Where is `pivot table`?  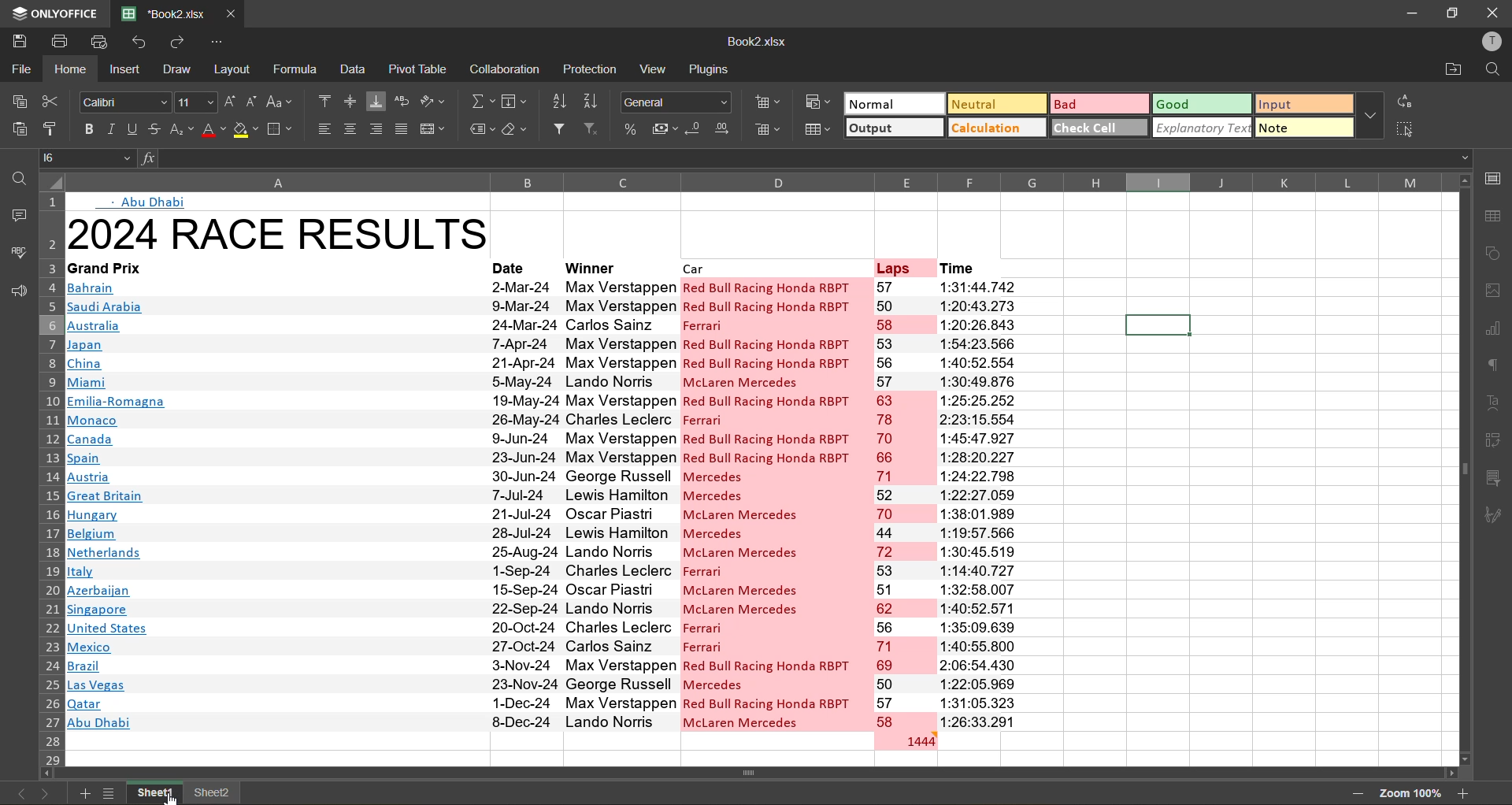
pivot table is located at coordinates (1495, 443).